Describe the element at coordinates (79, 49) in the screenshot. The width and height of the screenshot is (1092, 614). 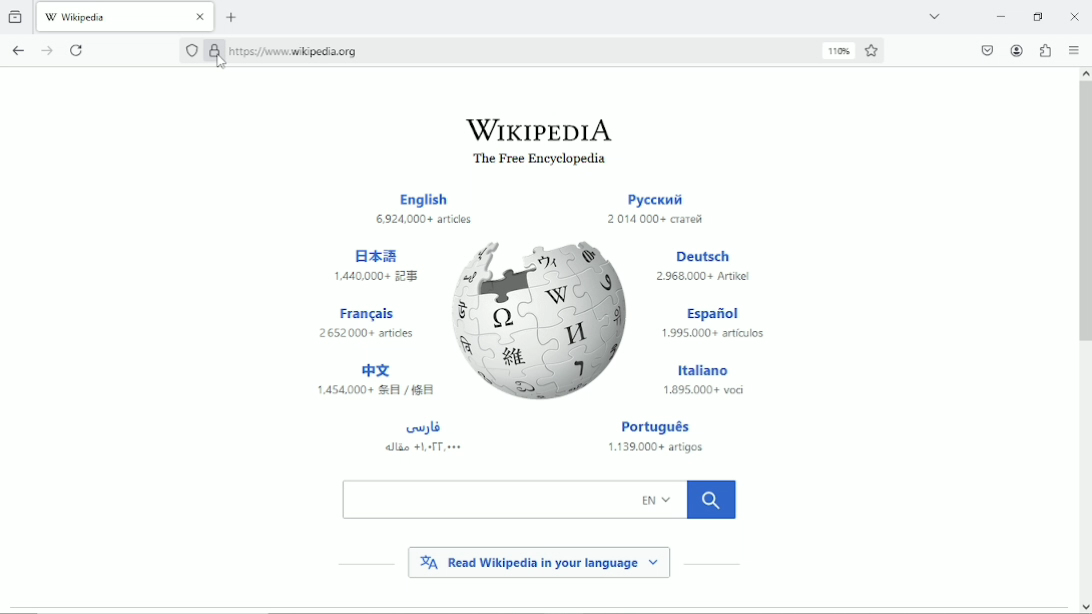
I see `reload current page` at that location.